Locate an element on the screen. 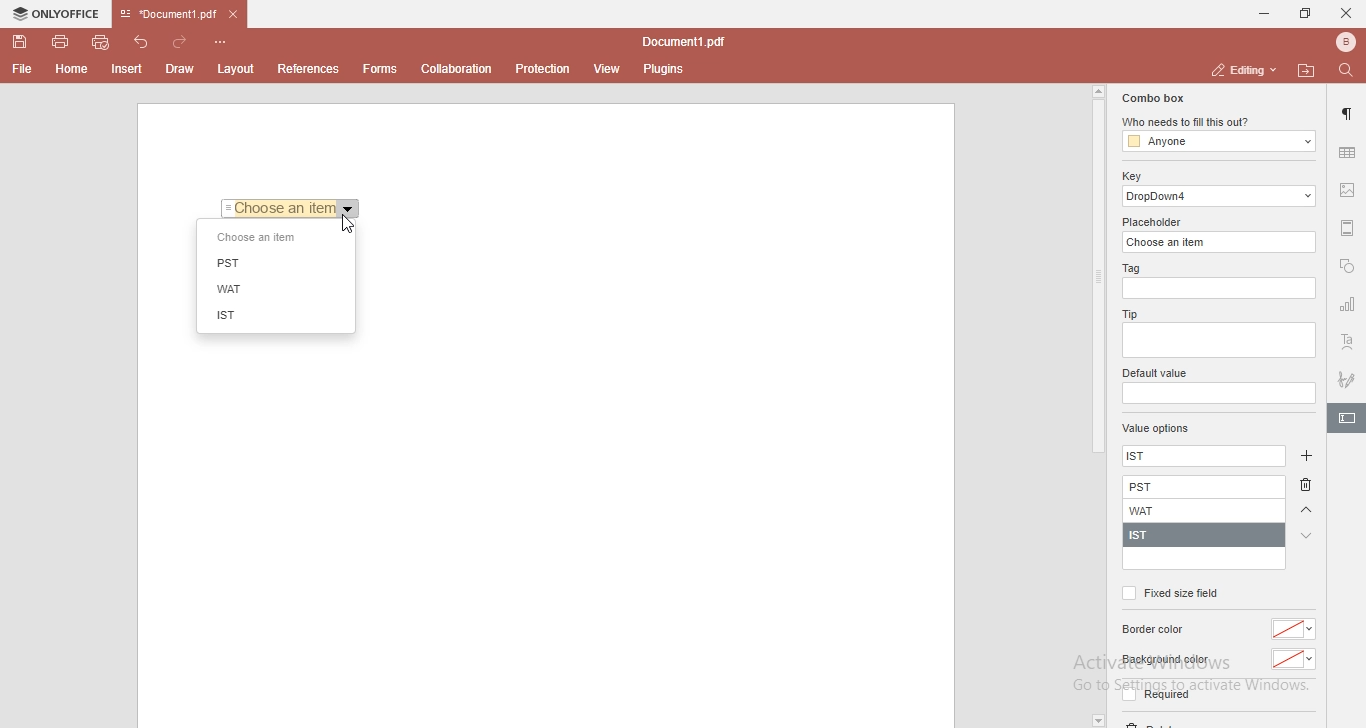 The image size is (1366, 728). PST added is located at coordinates (1208, 488).